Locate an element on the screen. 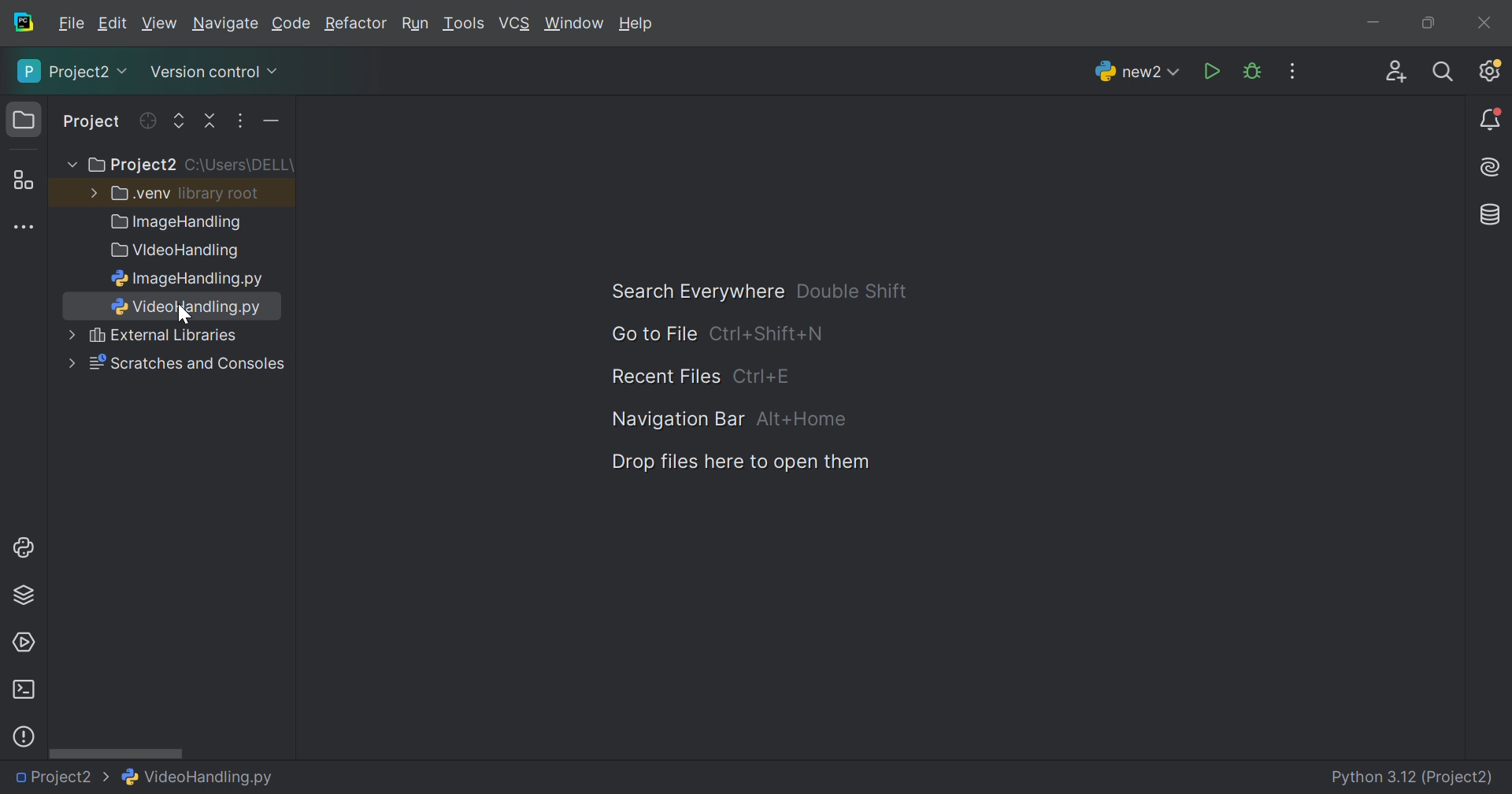  Database is located at coordinates (1492, 216).